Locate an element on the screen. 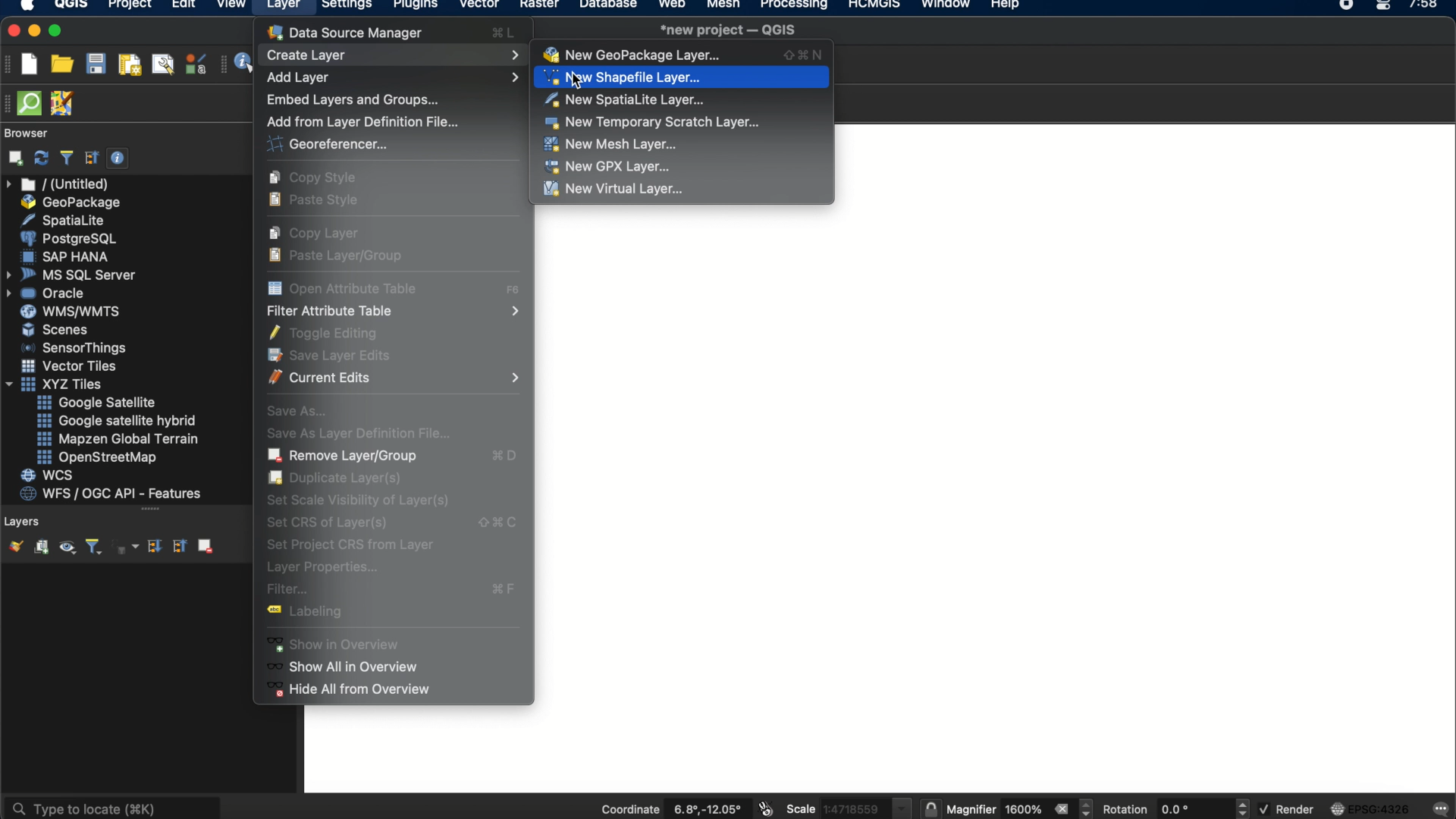 The image size is (1456, 819). *new project - QGIS is located at coordinates (729, 29).